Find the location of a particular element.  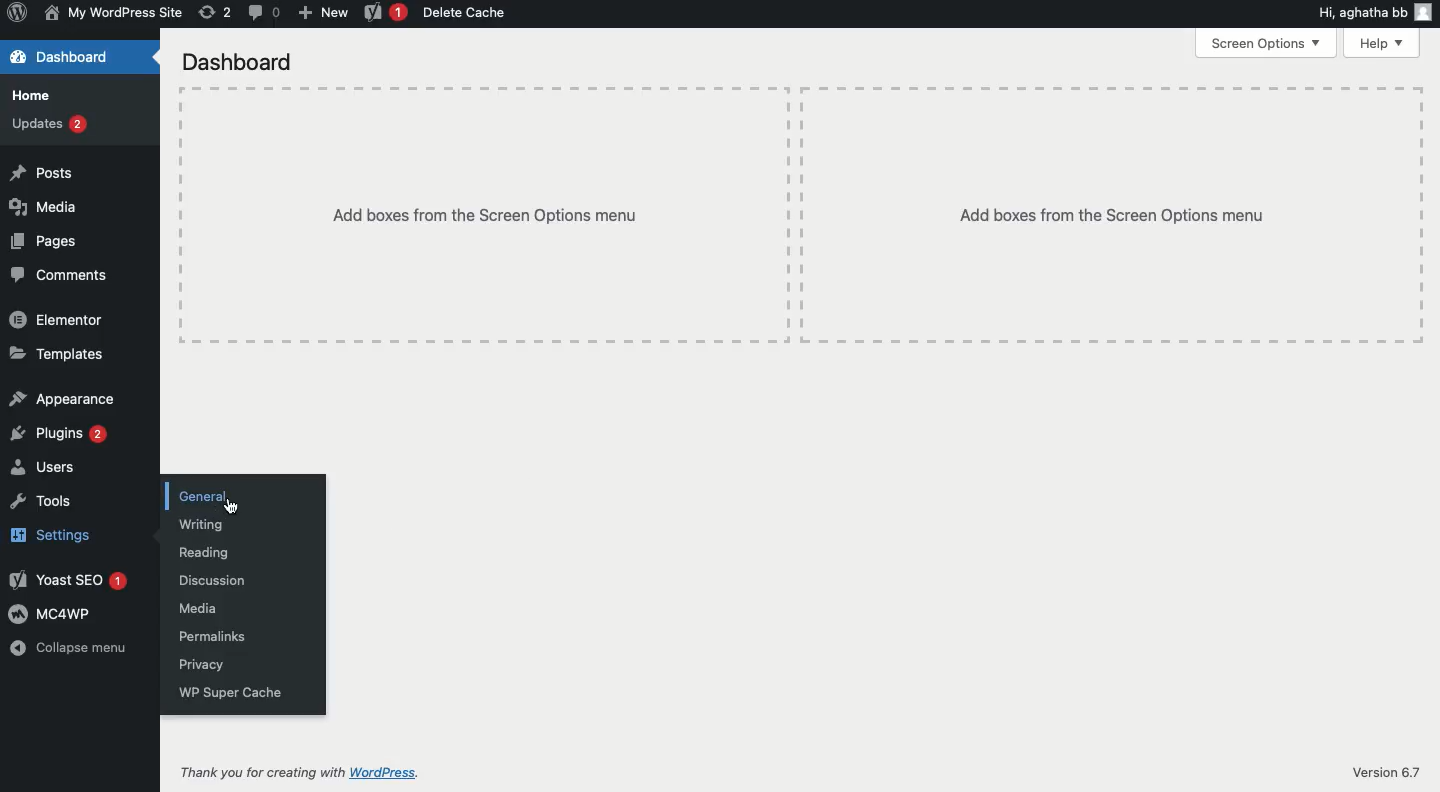

Yoast is located at coordinates (382, 14).